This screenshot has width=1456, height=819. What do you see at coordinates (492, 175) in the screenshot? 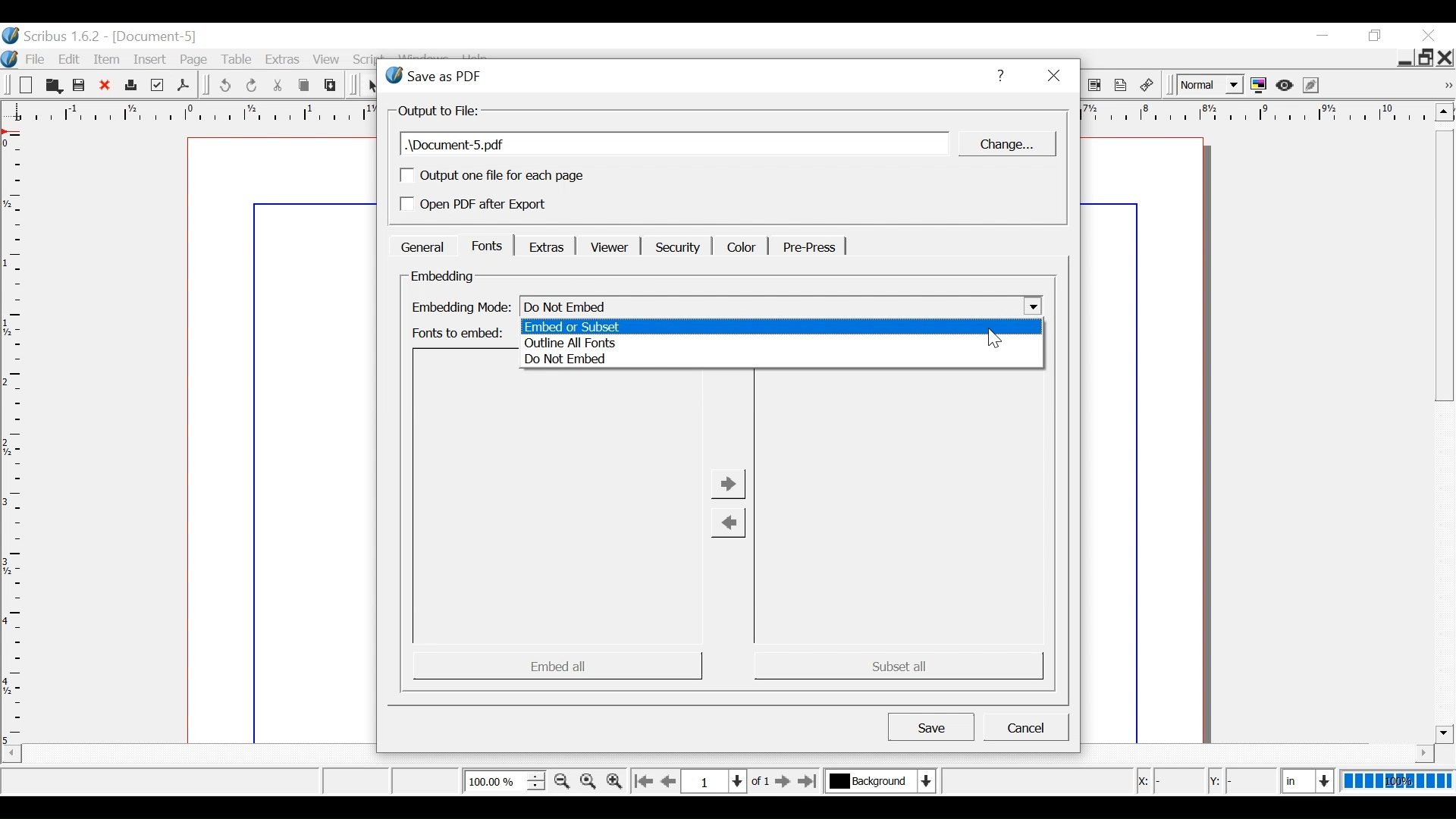
I see `(un)check output one file for each page` at bounding box center [492, 175].